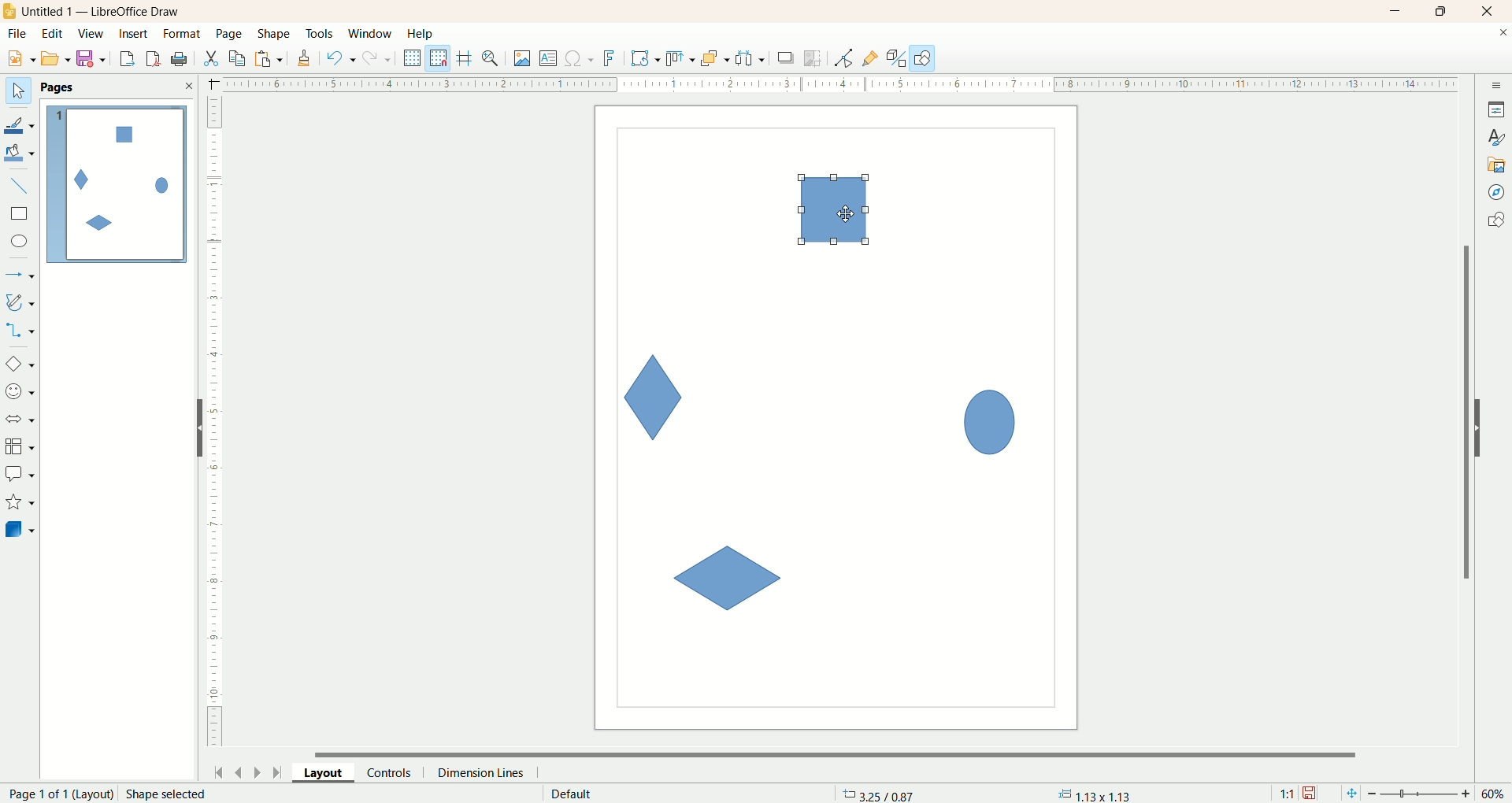  Describe the element at coordinates (305, 56) in the screenshot. I see `clone formatting` at that location.